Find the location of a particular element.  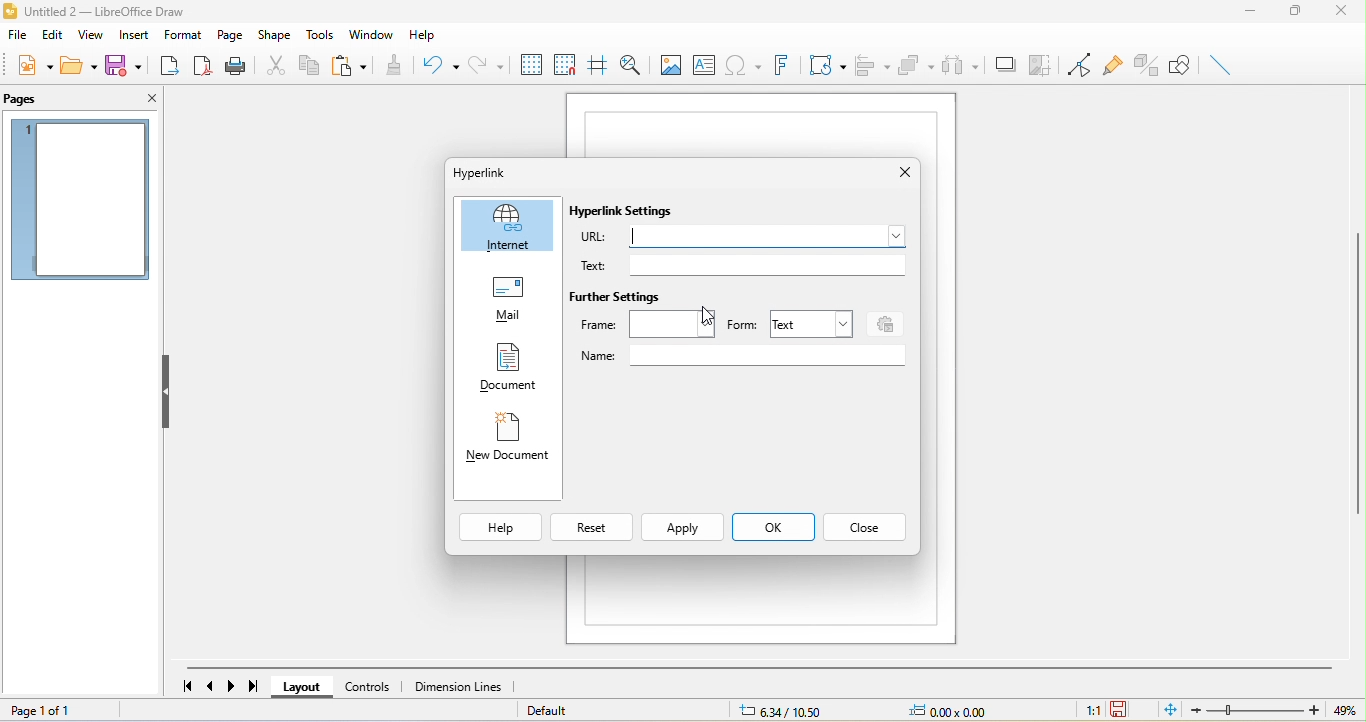

special character is located at coordinates (746, 66).